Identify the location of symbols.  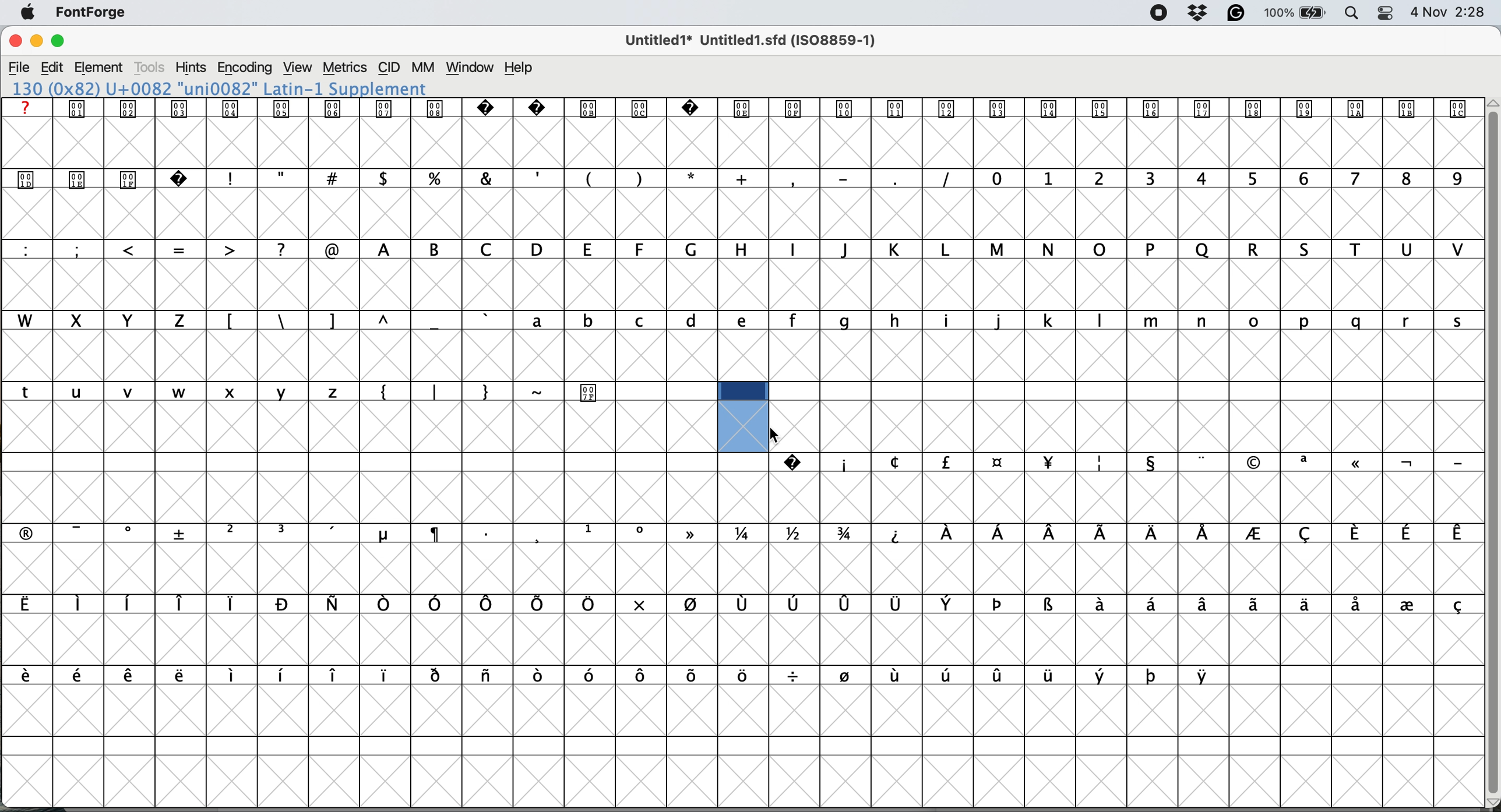
(739, 603).